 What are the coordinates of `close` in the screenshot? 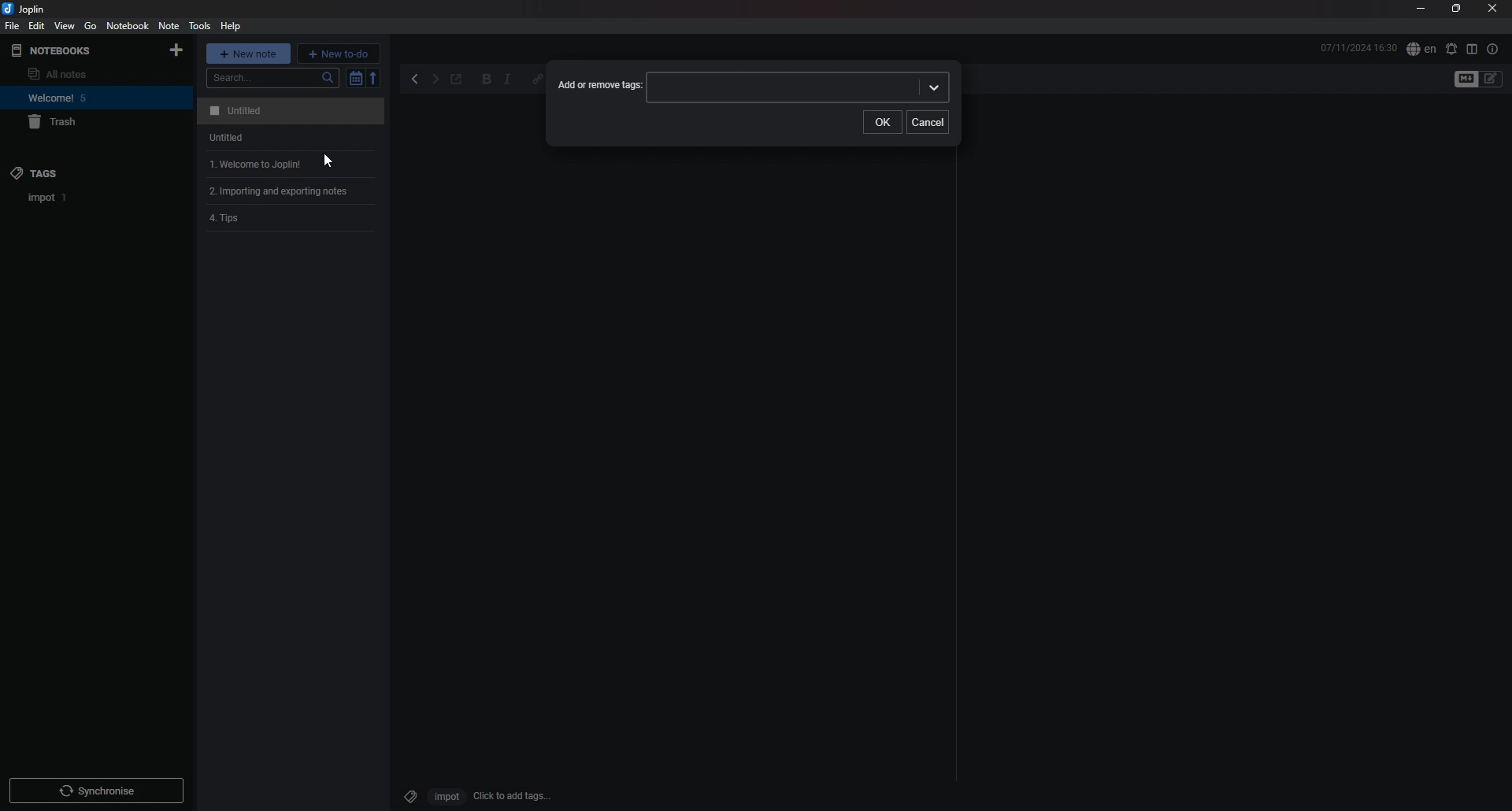 It's located at (1492, 9).